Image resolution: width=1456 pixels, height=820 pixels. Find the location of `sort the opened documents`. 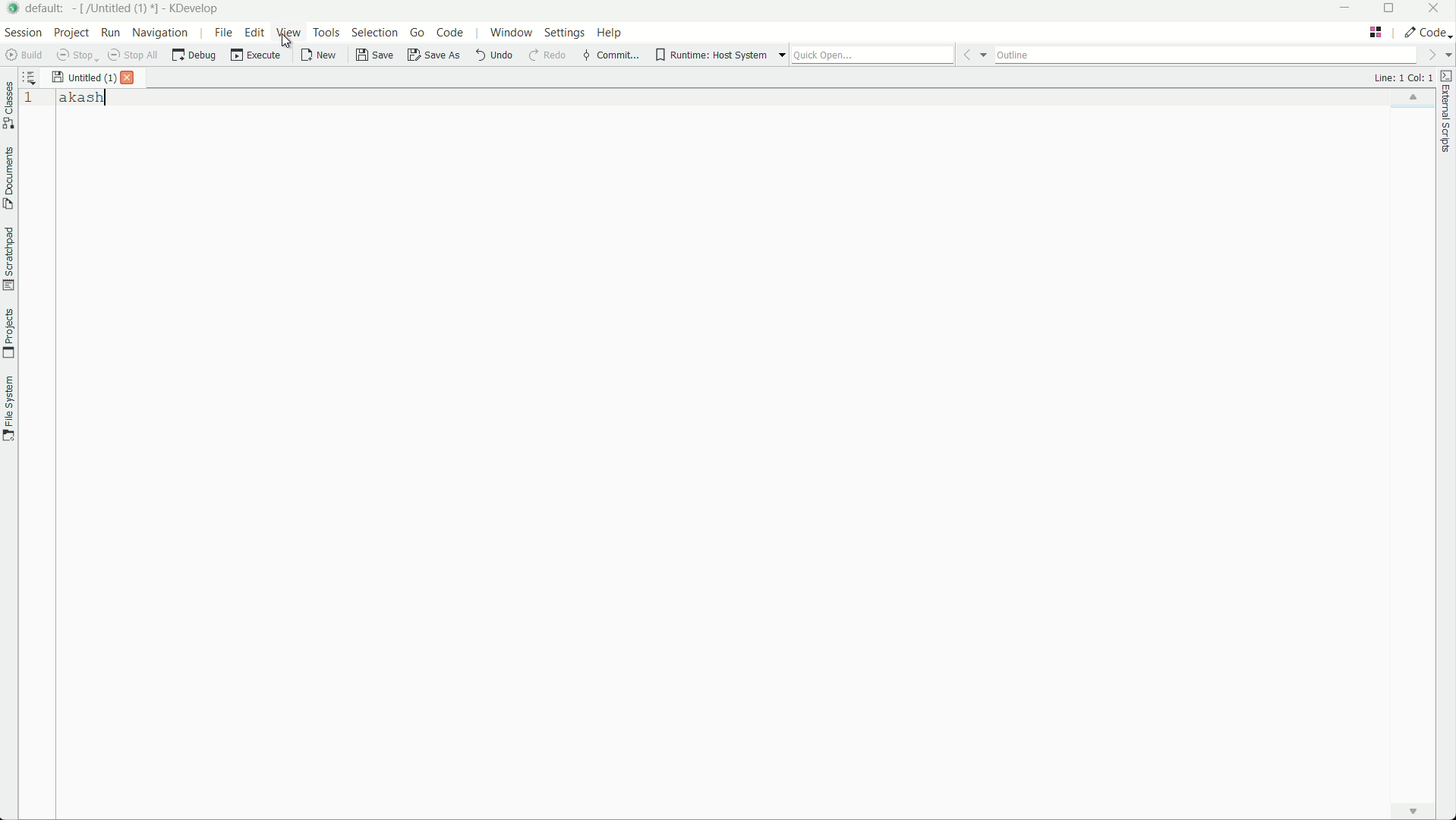

sort the opened documents is located at coordinates (30, 77).